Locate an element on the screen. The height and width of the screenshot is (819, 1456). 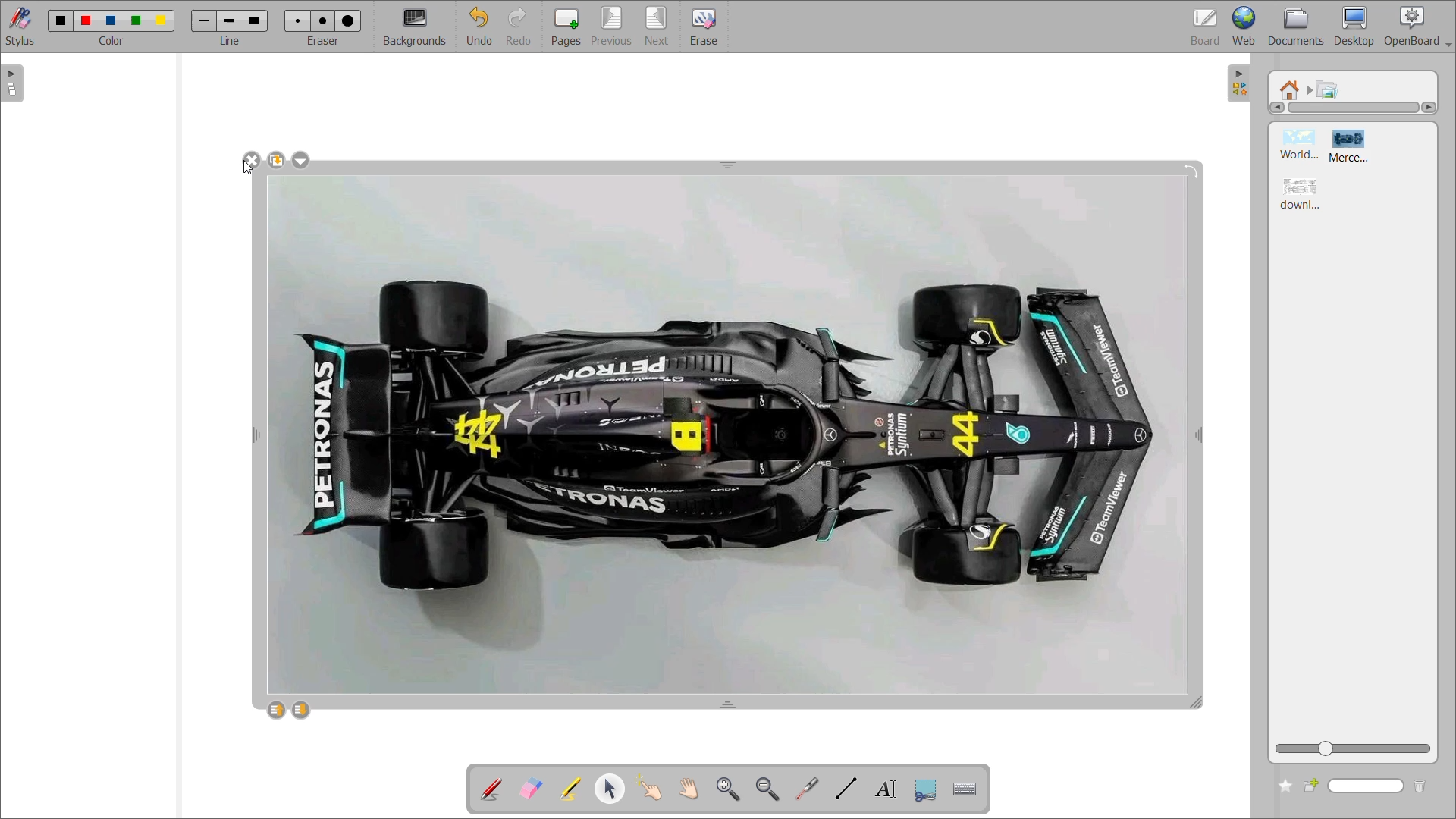
name input bar is located at coordinates (1365, 786).